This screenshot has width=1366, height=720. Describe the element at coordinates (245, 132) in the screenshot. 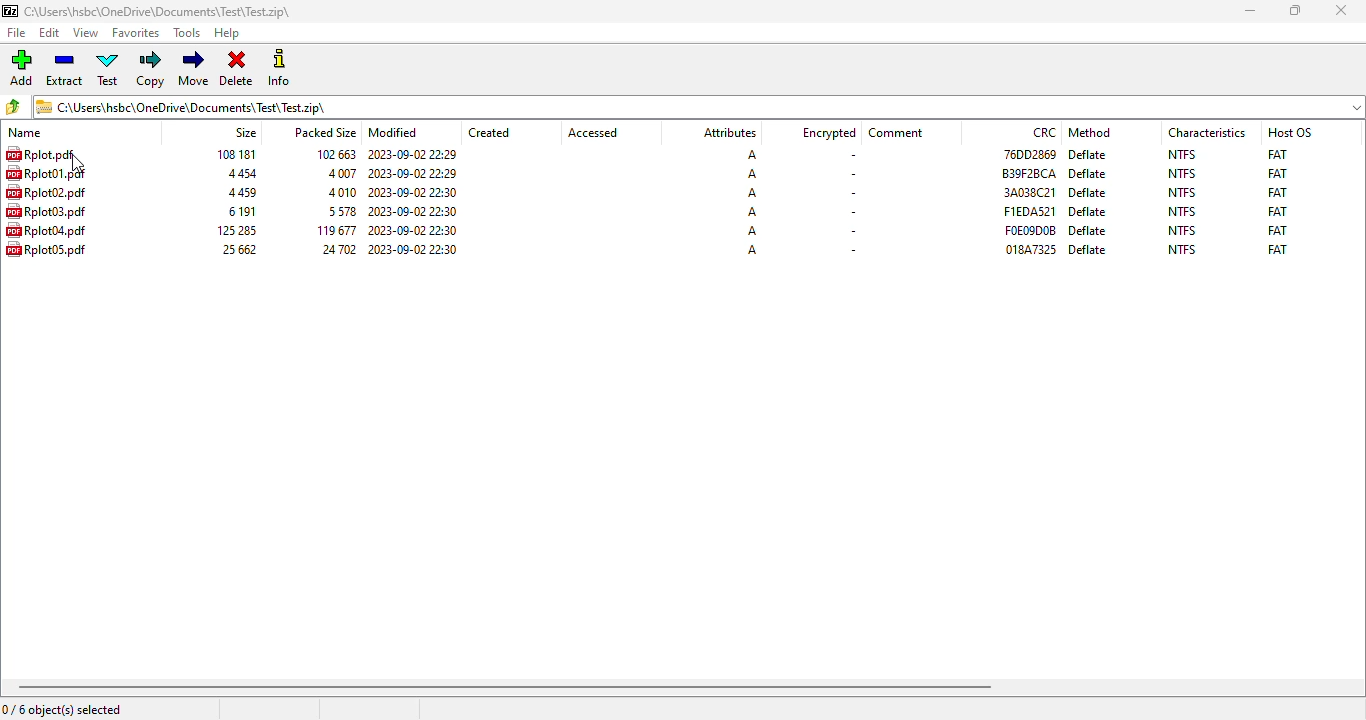

I see `size` at that location.